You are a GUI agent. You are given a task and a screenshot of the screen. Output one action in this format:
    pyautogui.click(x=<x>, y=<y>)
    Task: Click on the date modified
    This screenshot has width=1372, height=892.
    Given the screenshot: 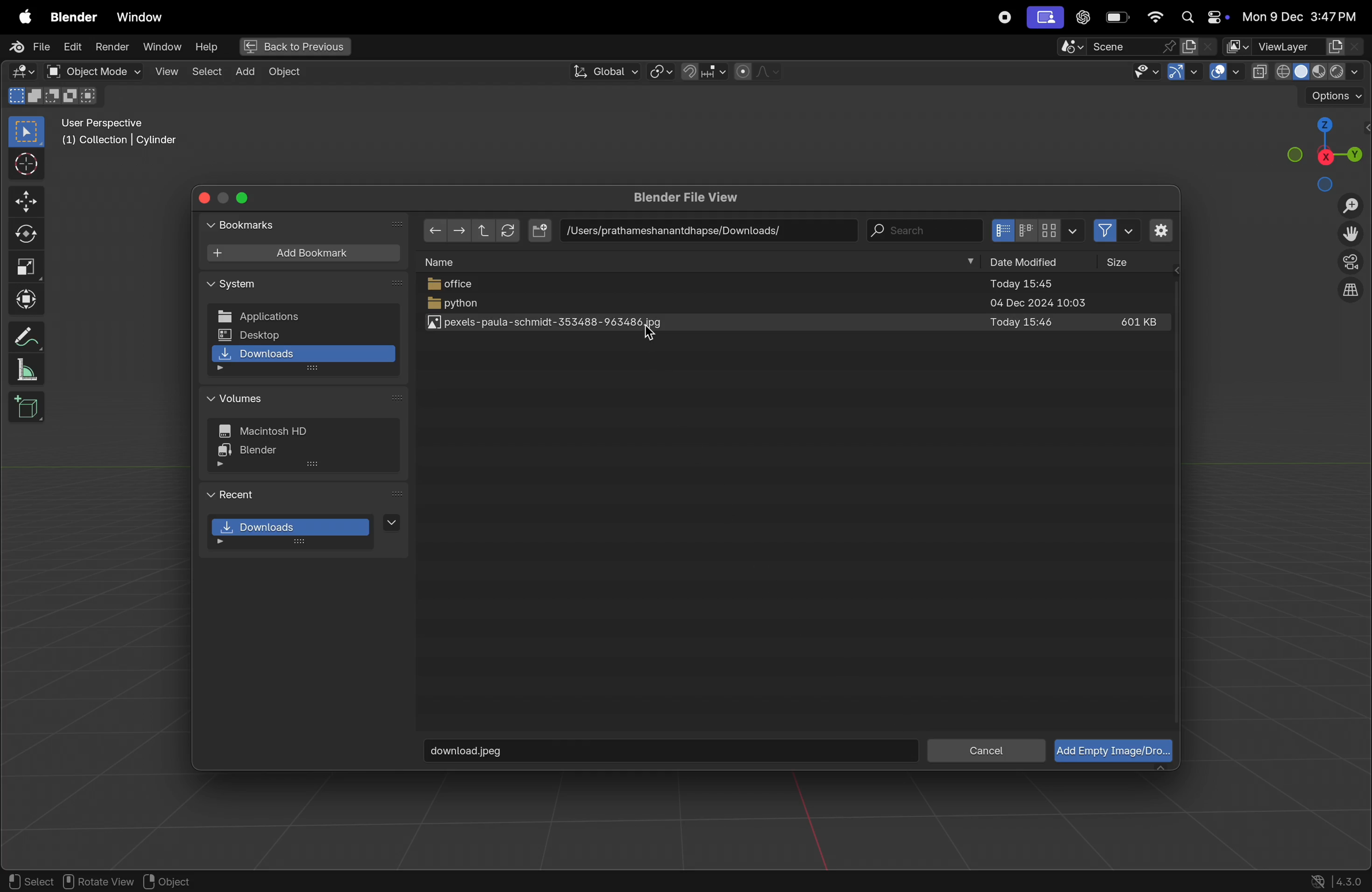 What is the action you would take?
    pyautogui.click(x=1021, y=263)
    